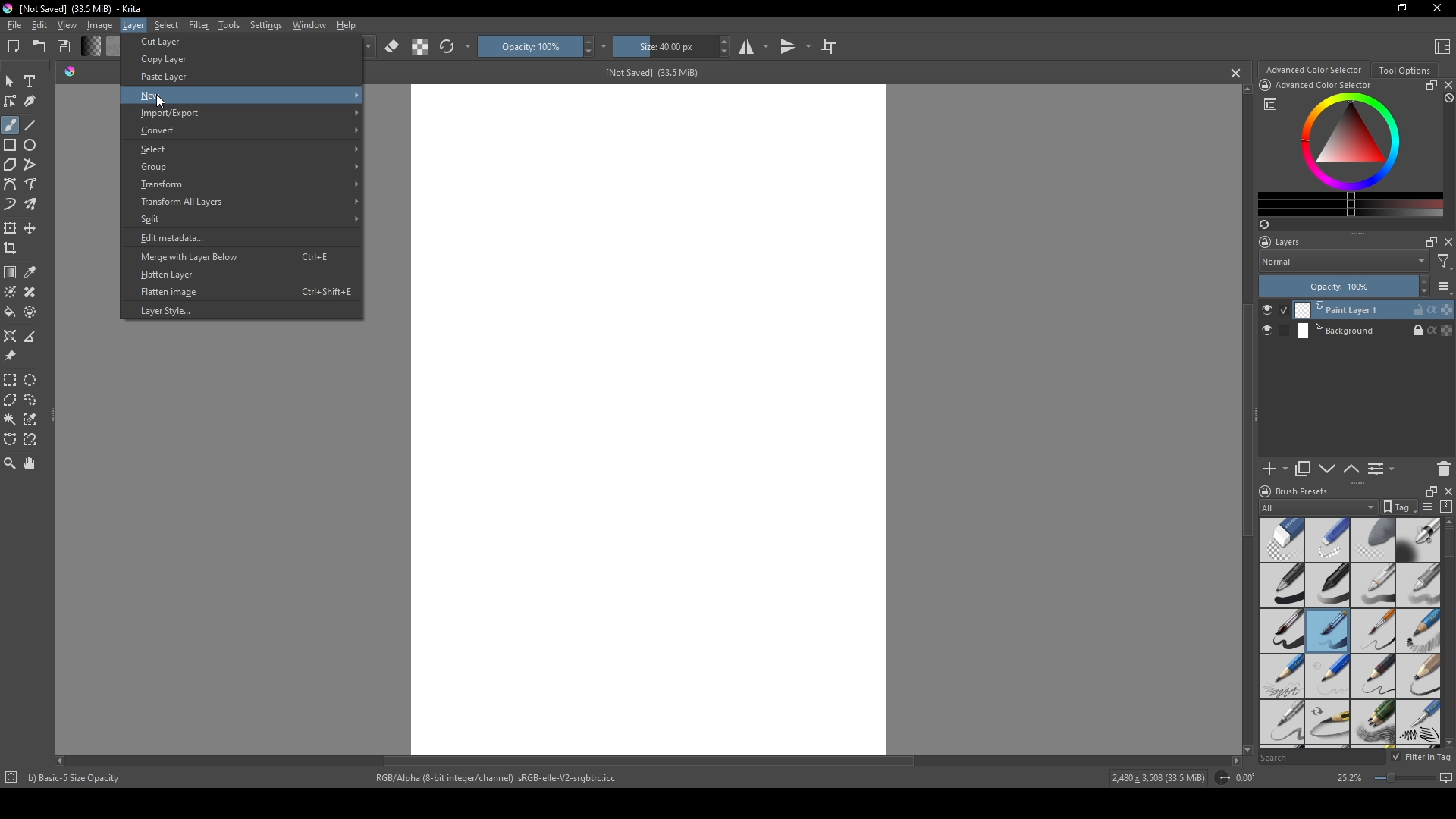  I want to click on pencil, so click(1328, 723).